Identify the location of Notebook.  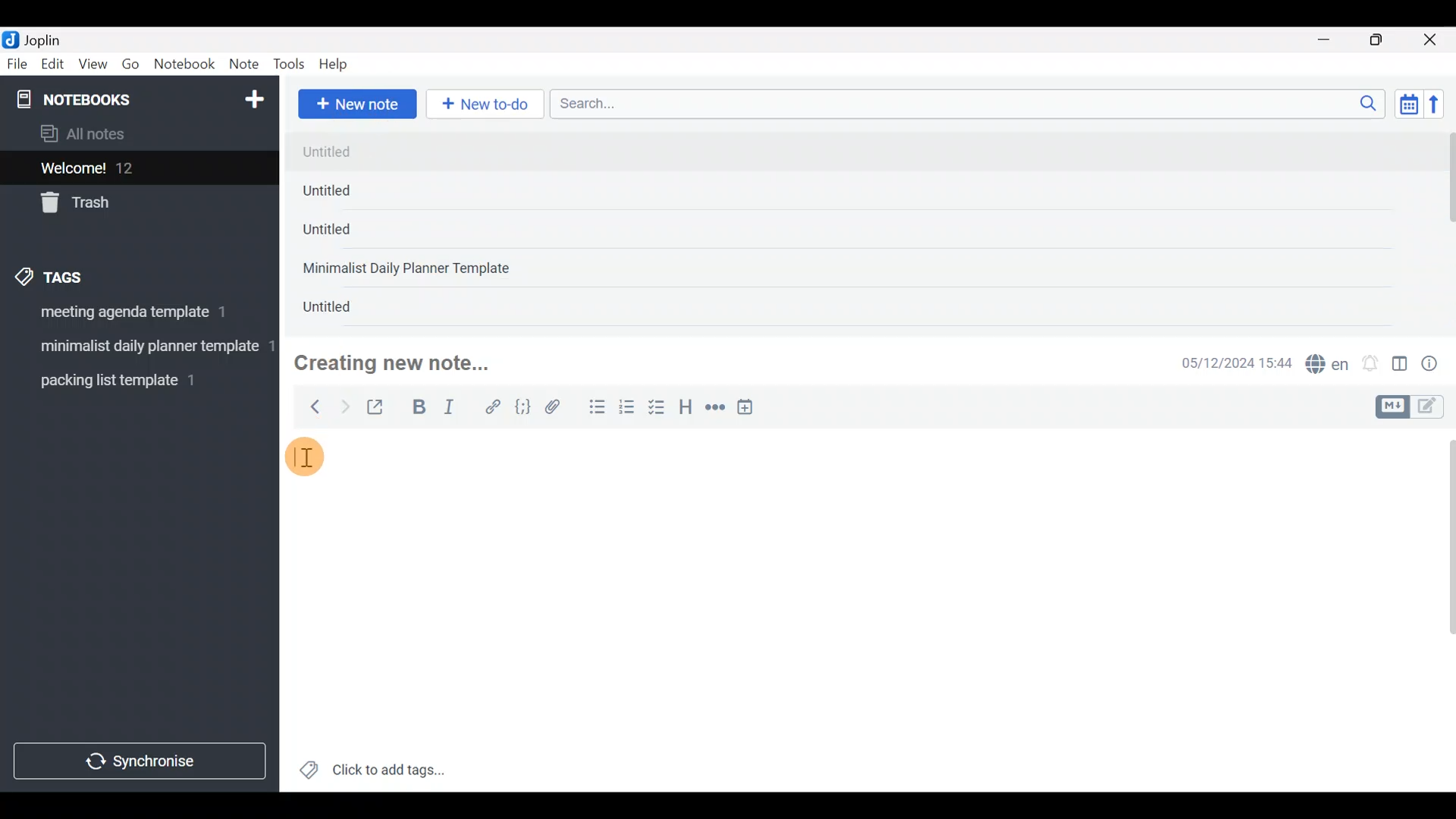
(185, 64).